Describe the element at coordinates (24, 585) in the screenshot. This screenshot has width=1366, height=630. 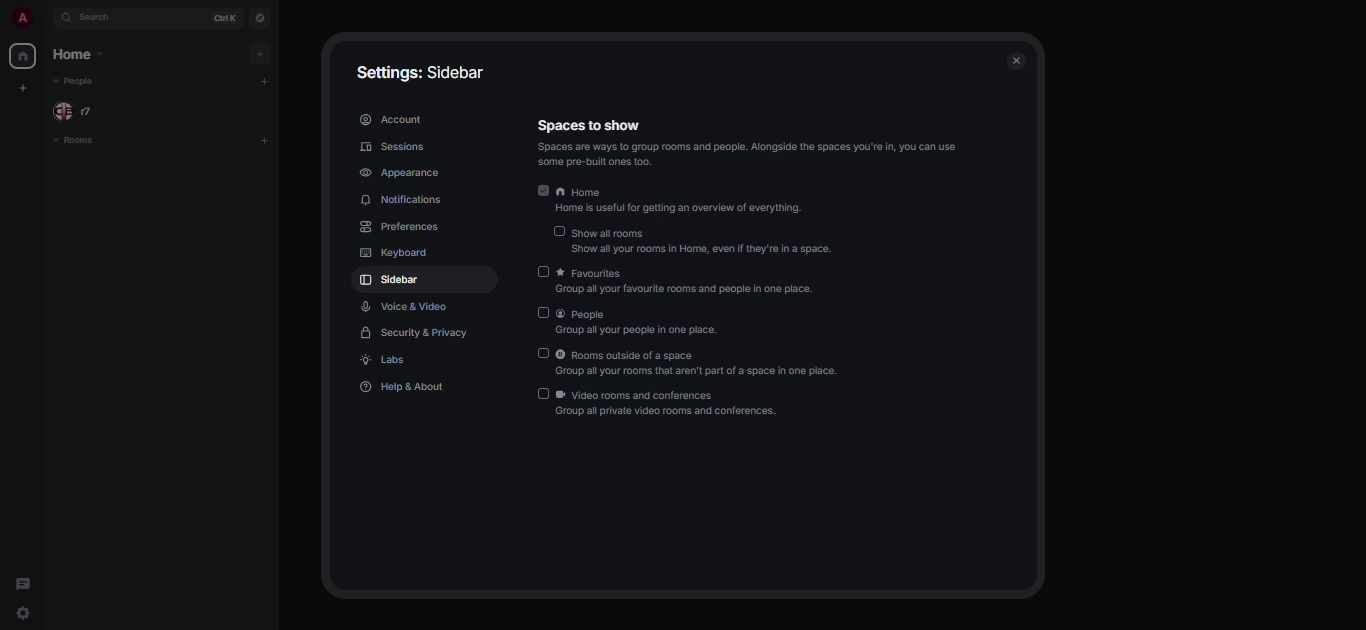
I see `threads` at that location.